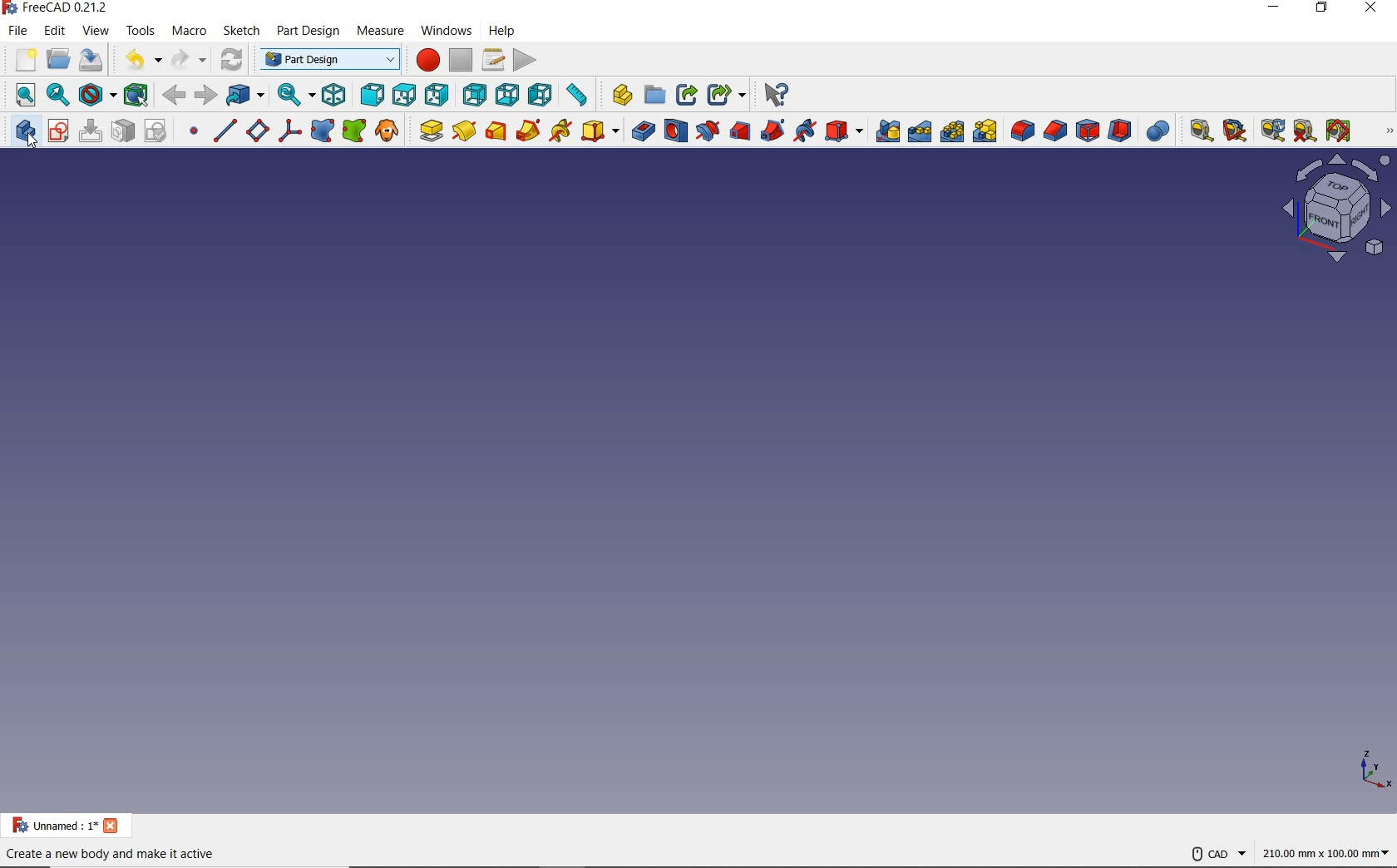  What do you see at coordinates (97, 95) in the screenshot?
I see `draw style` at bounding box center [97, 95].